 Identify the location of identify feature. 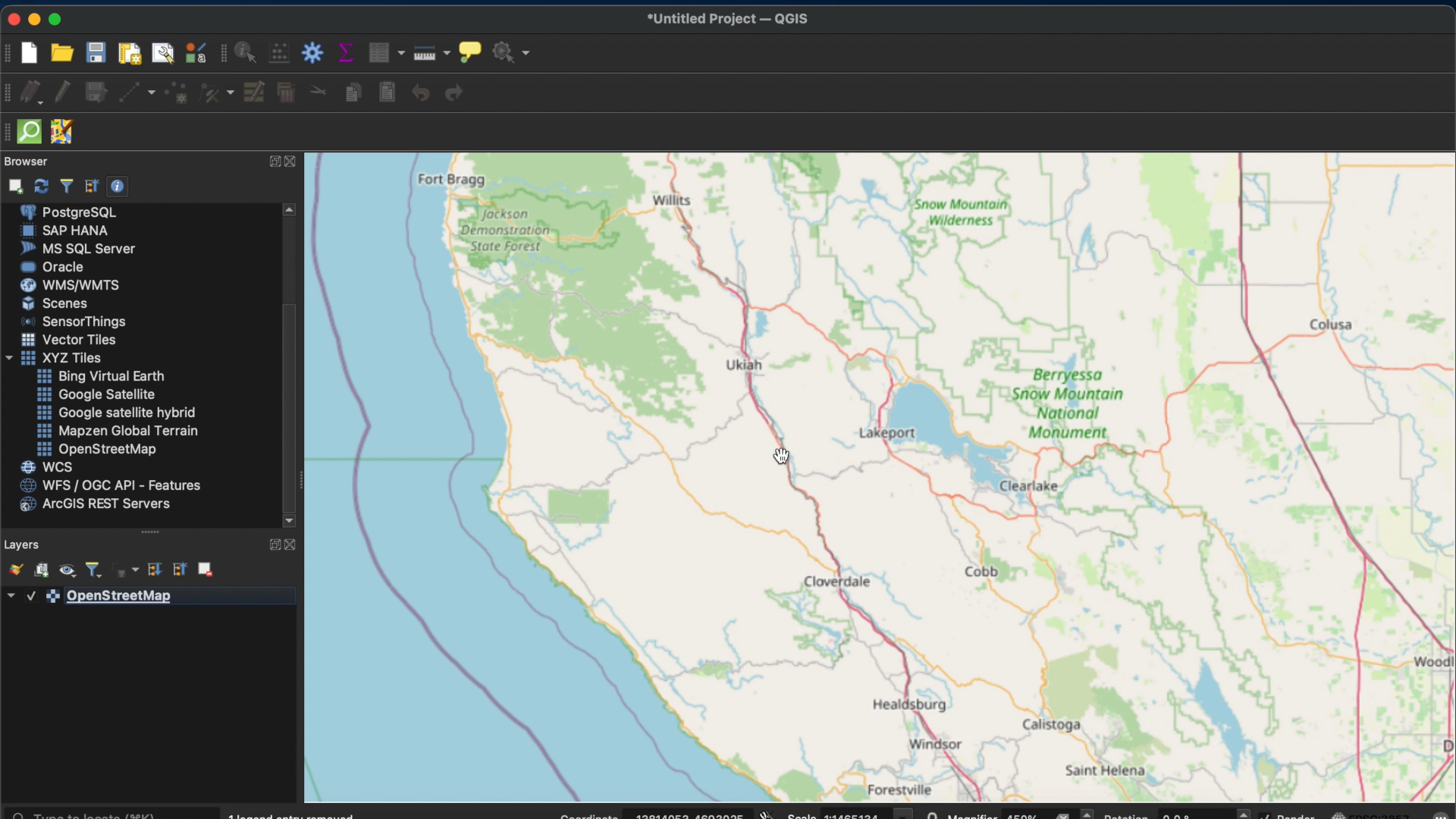
(247, 52).